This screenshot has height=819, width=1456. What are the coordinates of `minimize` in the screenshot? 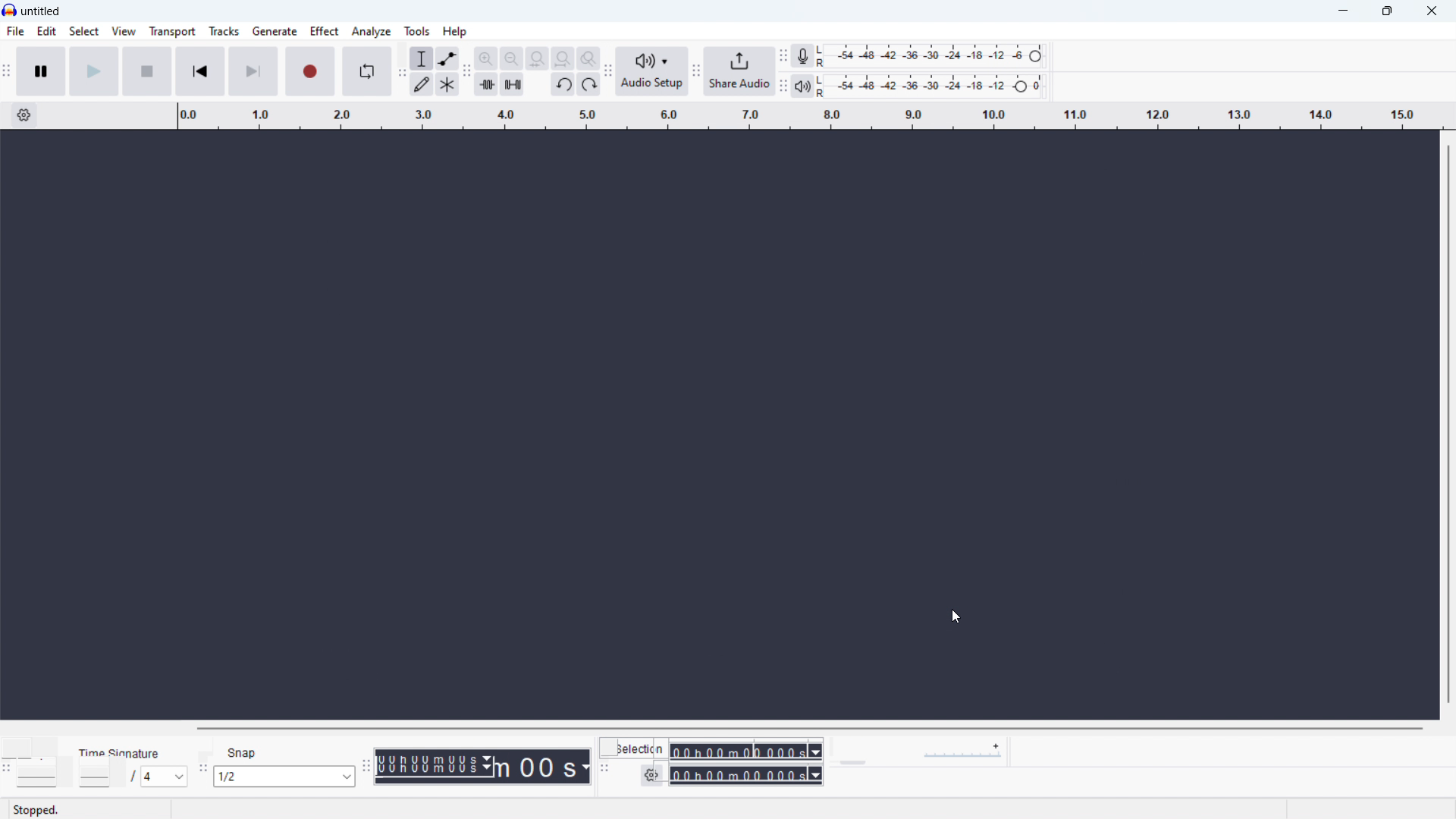 It's located at (1344, 11).